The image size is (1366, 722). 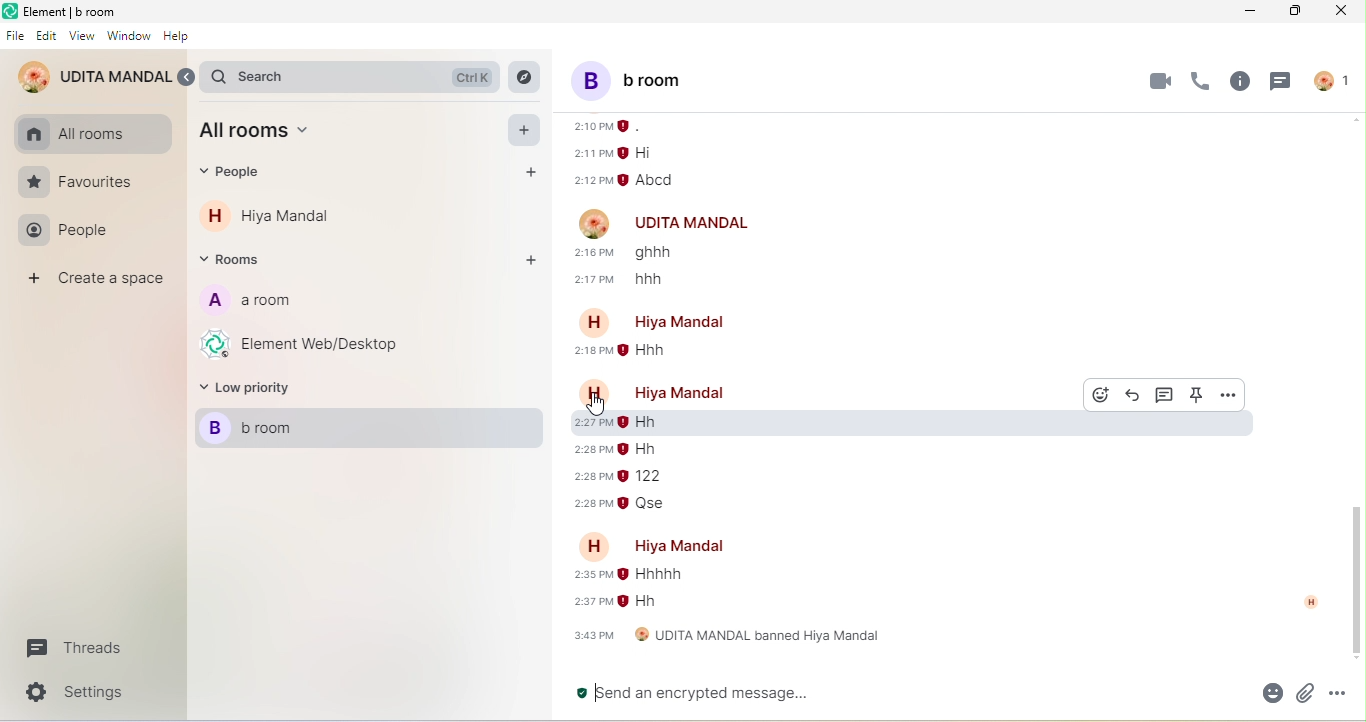 I want to click on cursor movement, so click(x=596, y=406).